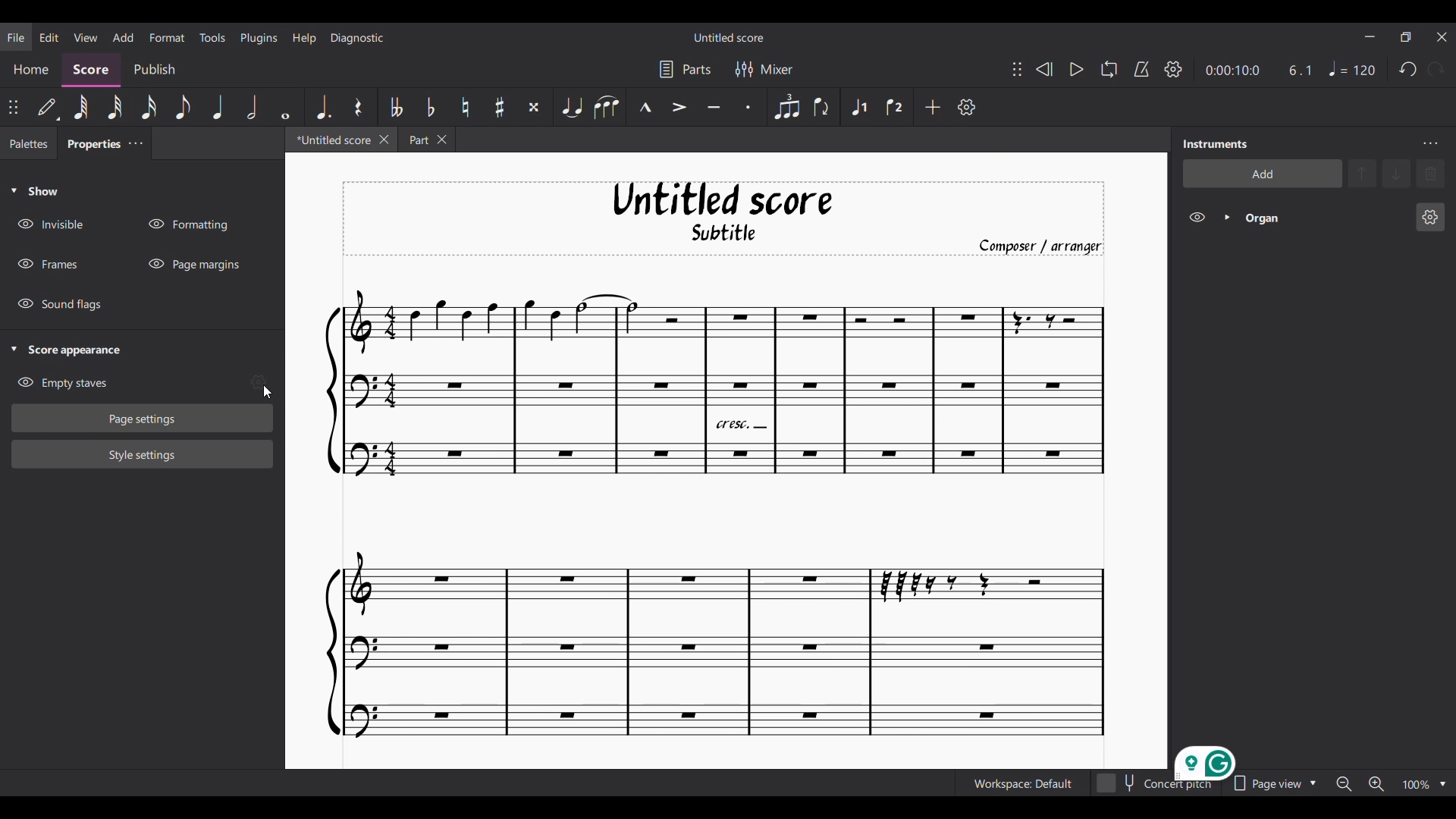 Image resolution: width=1456 pixels, height=819 pixels. Describe the element at coordinates (1260, 71) in the screenshot. I see `Current ratio and duration ` at that location.